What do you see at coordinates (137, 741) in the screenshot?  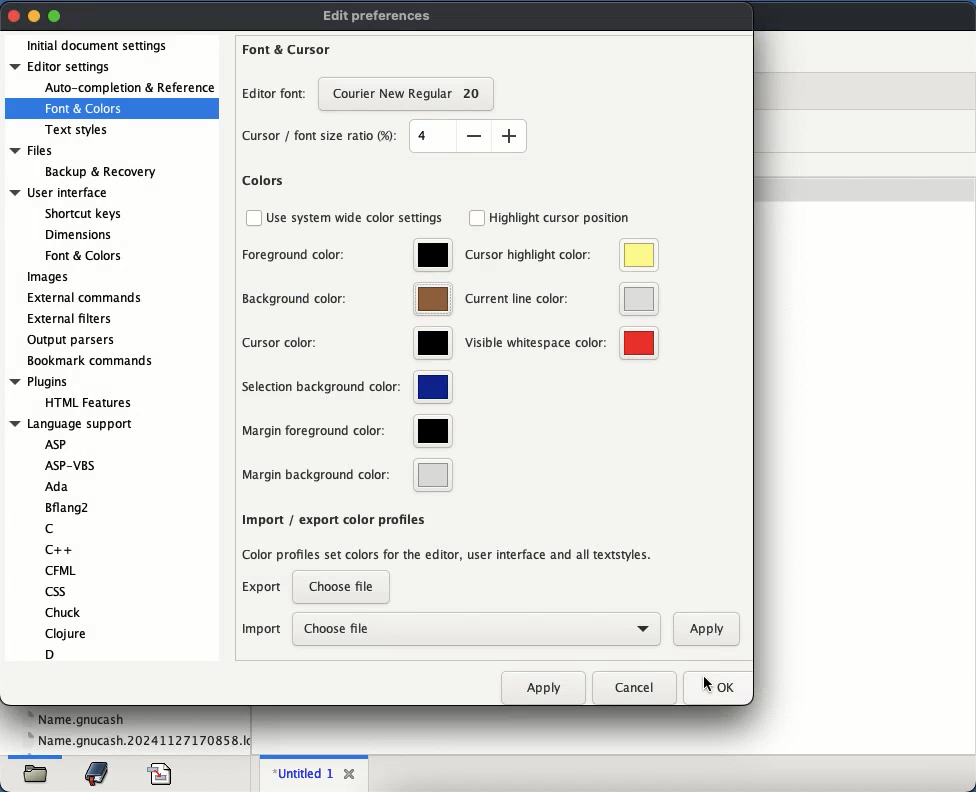 I see `name.gnucash` at bounding box center [137, 741].